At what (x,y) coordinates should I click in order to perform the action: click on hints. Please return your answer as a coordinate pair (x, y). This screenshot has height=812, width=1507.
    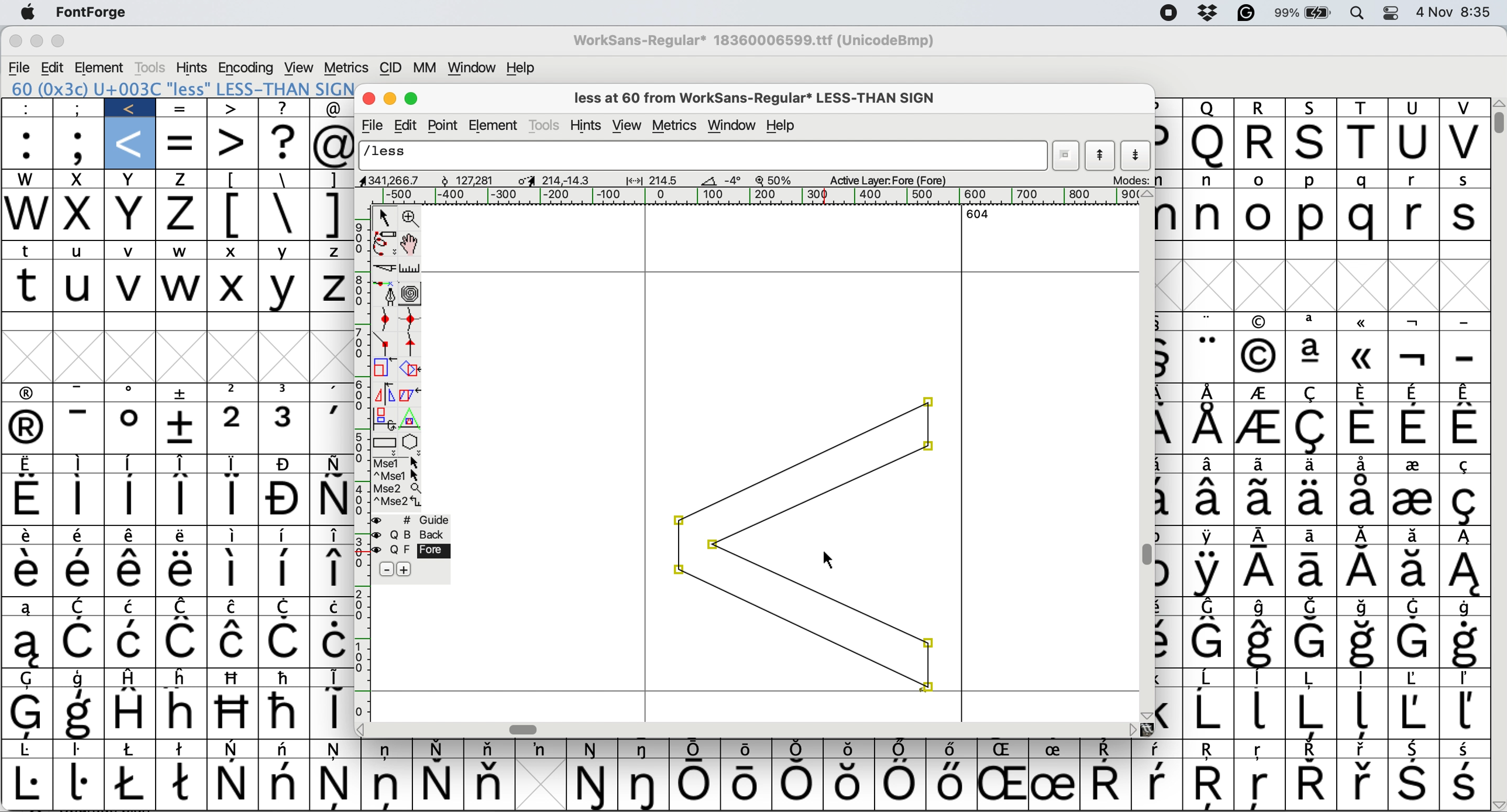
    Looking at the image, I should click on (586, 125).